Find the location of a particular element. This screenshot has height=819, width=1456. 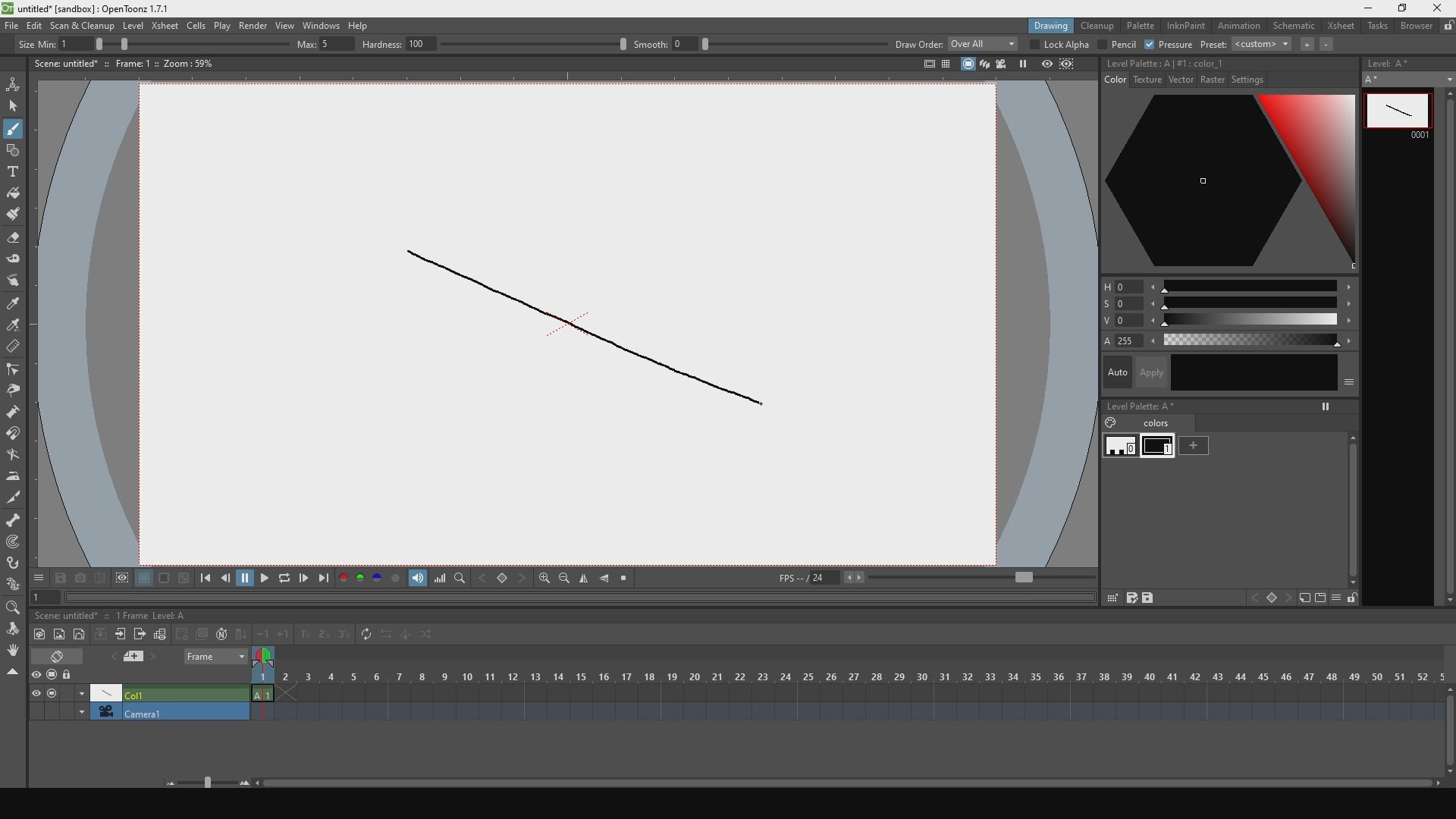

tasks is located at coordinates (1379, 30).